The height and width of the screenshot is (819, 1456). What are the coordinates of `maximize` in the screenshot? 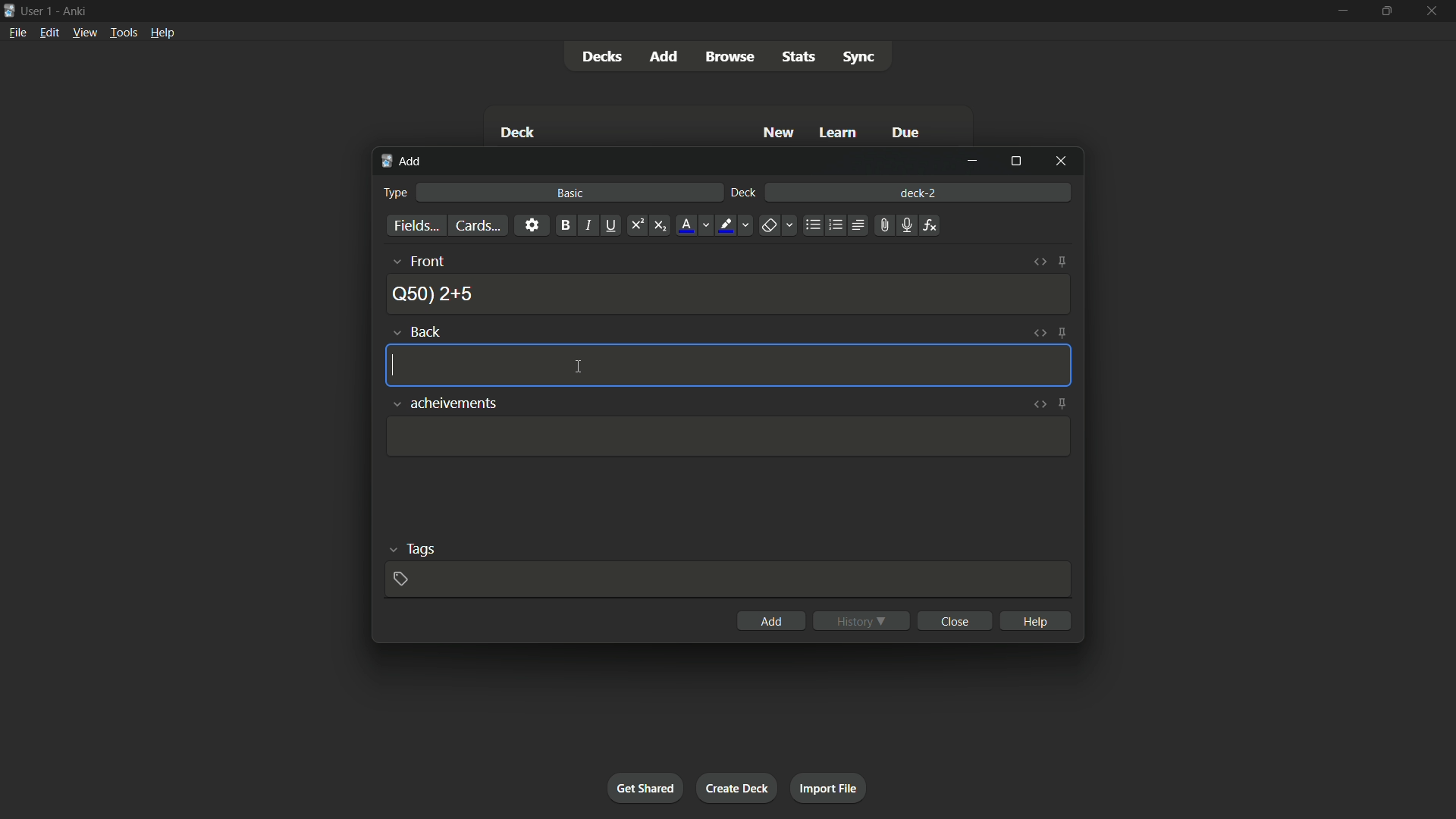 It's located at (1014, 162).